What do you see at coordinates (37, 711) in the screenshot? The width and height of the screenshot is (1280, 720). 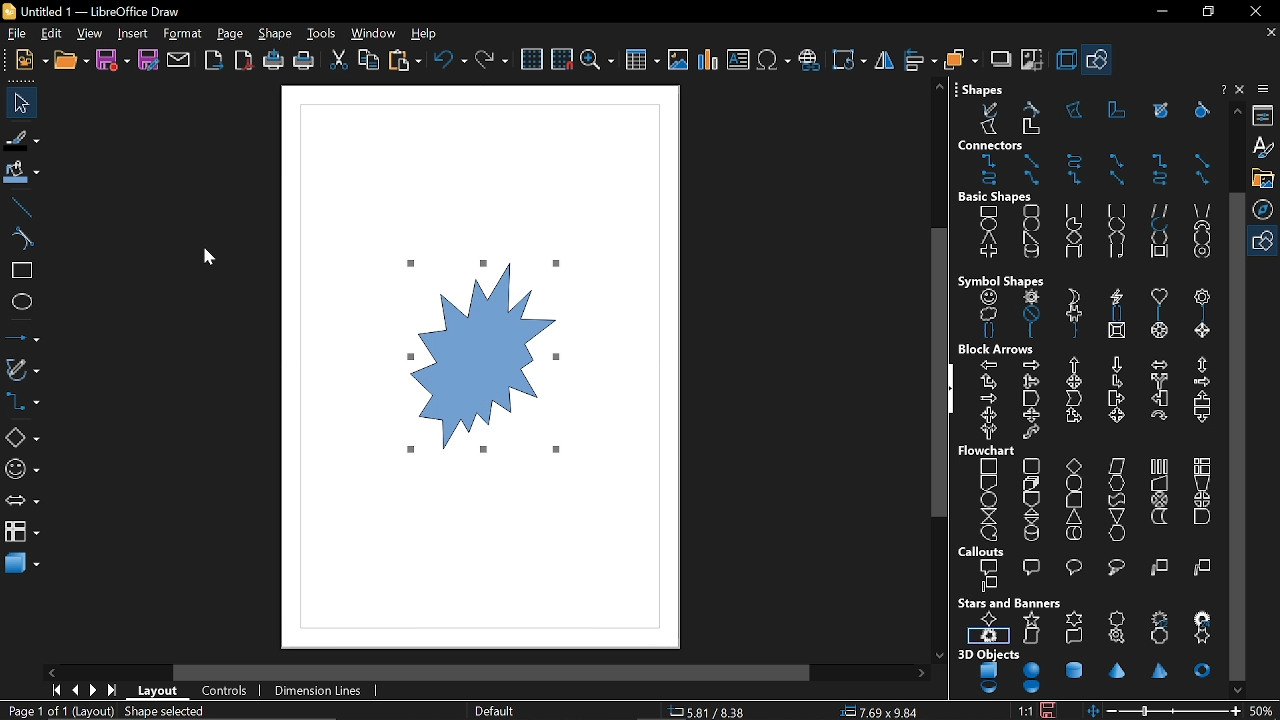 I see `current page (Page 1 of 1)` at bounding box center [37, 711].